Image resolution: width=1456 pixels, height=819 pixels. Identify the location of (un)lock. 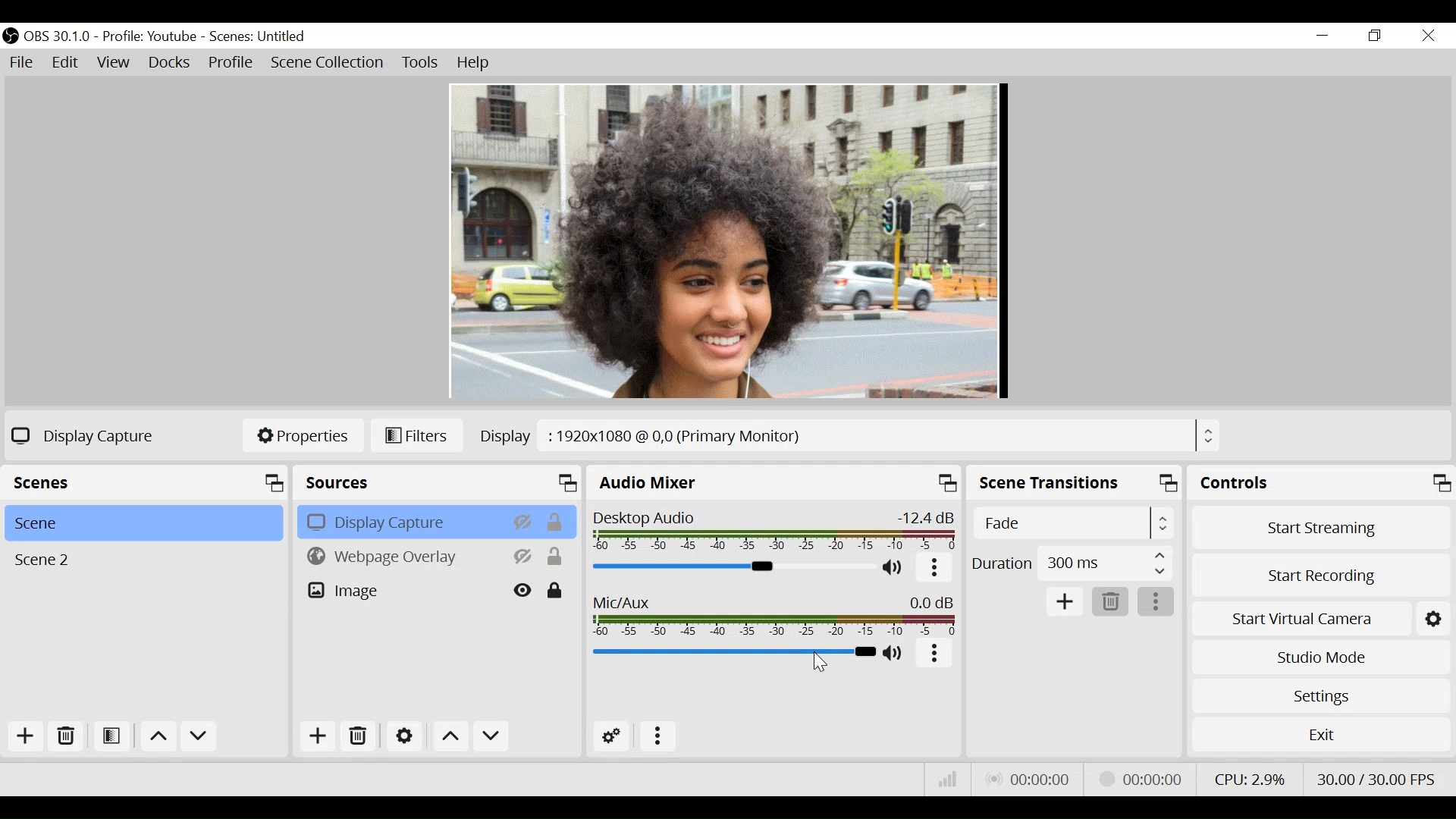
(555, 591).